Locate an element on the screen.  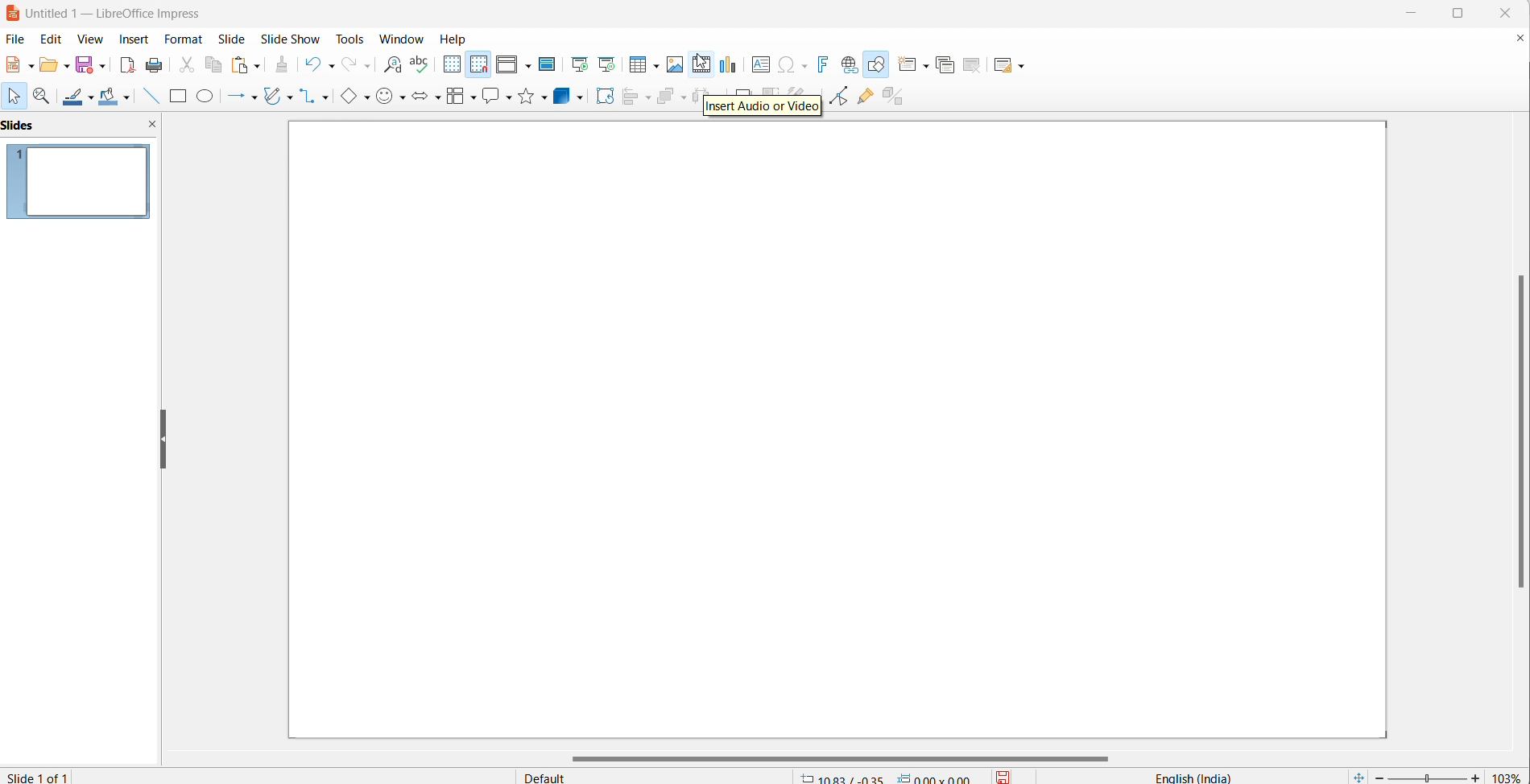
insert chart is located at coordinates (730, 64).